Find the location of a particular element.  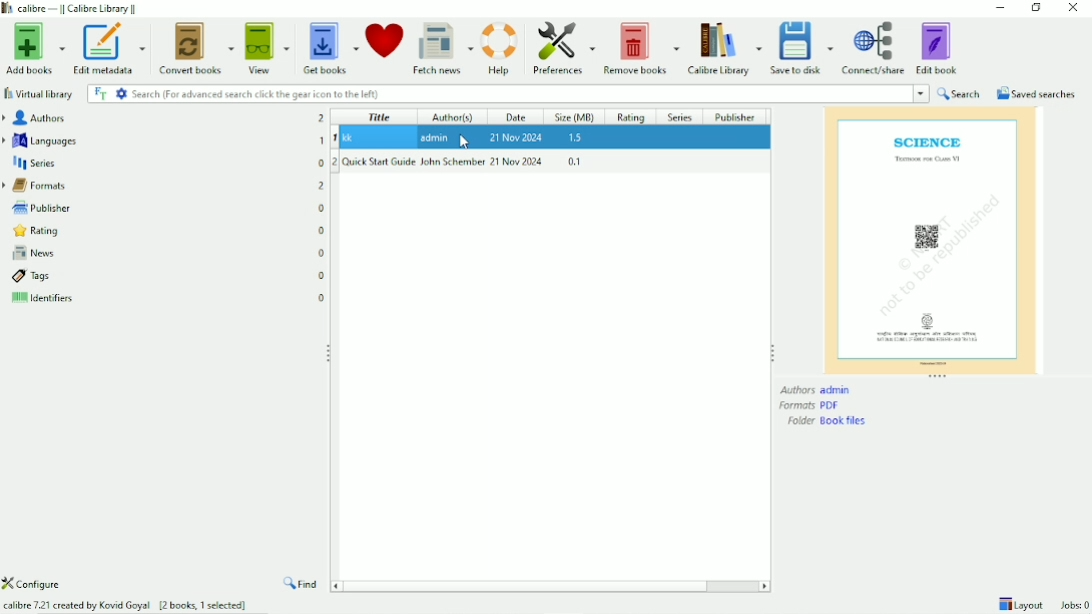

Quick Start Guide is located at coordinates (550, 162).